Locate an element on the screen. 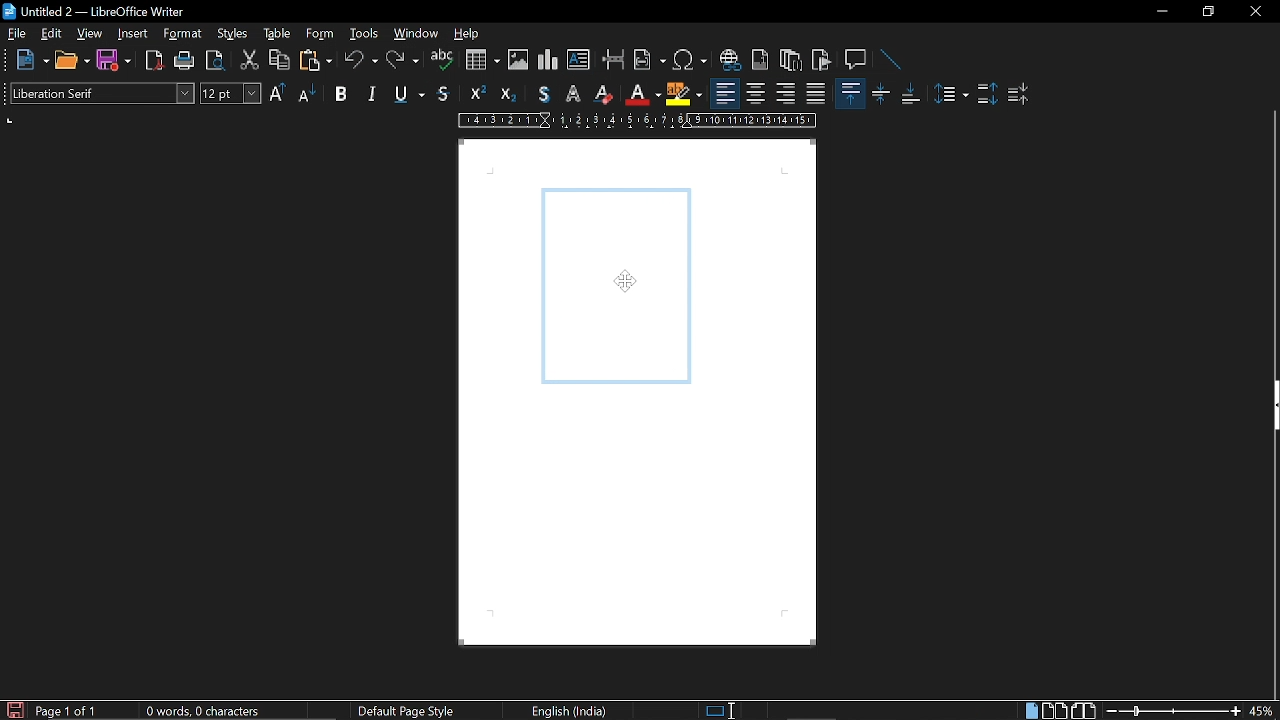 Image resolution: width=1280 pixels, height=720 pixels. minimize is located at coordinates (1162, 12).